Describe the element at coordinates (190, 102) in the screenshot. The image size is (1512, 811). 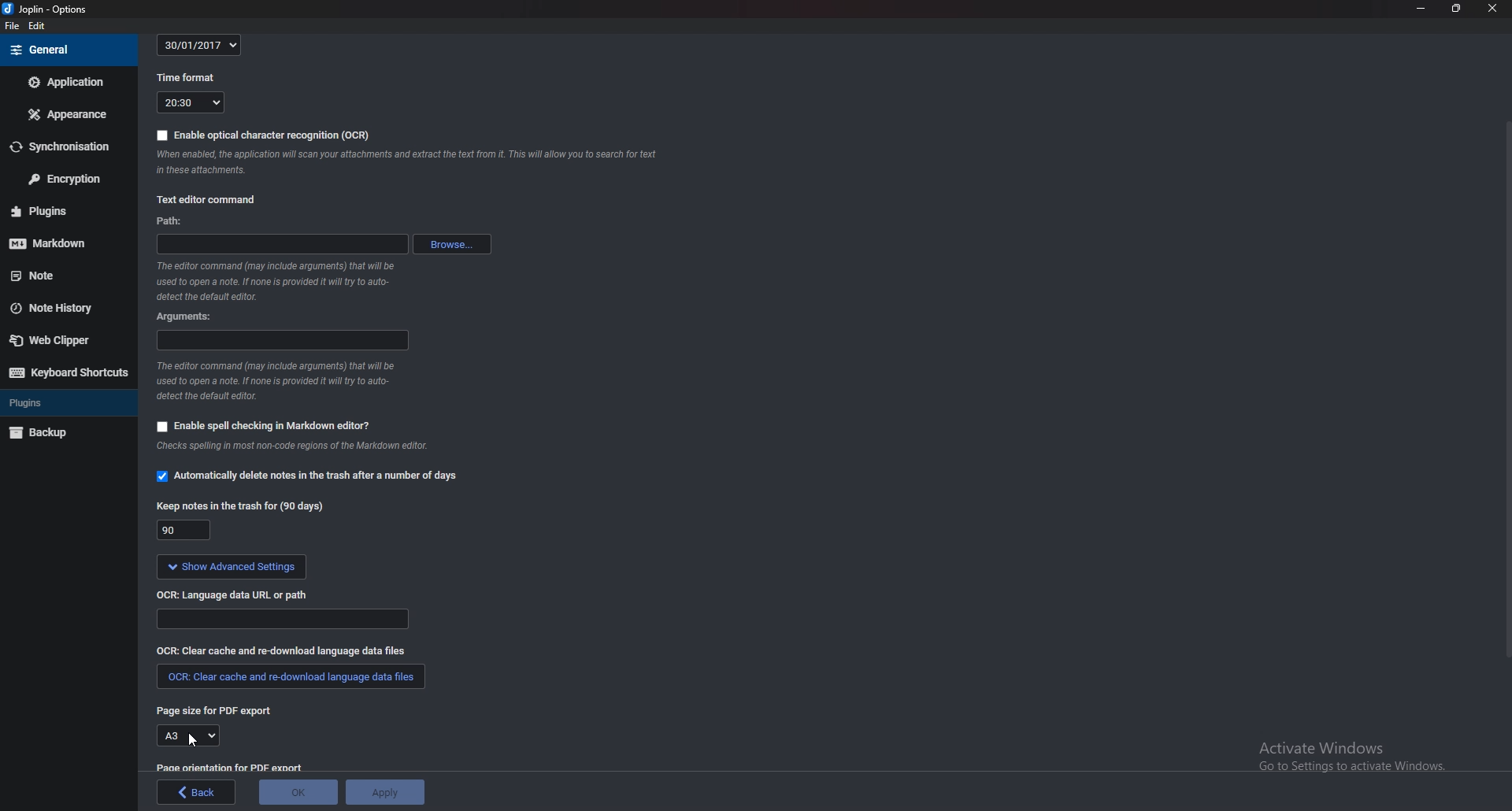
I see `20:30` at that location.